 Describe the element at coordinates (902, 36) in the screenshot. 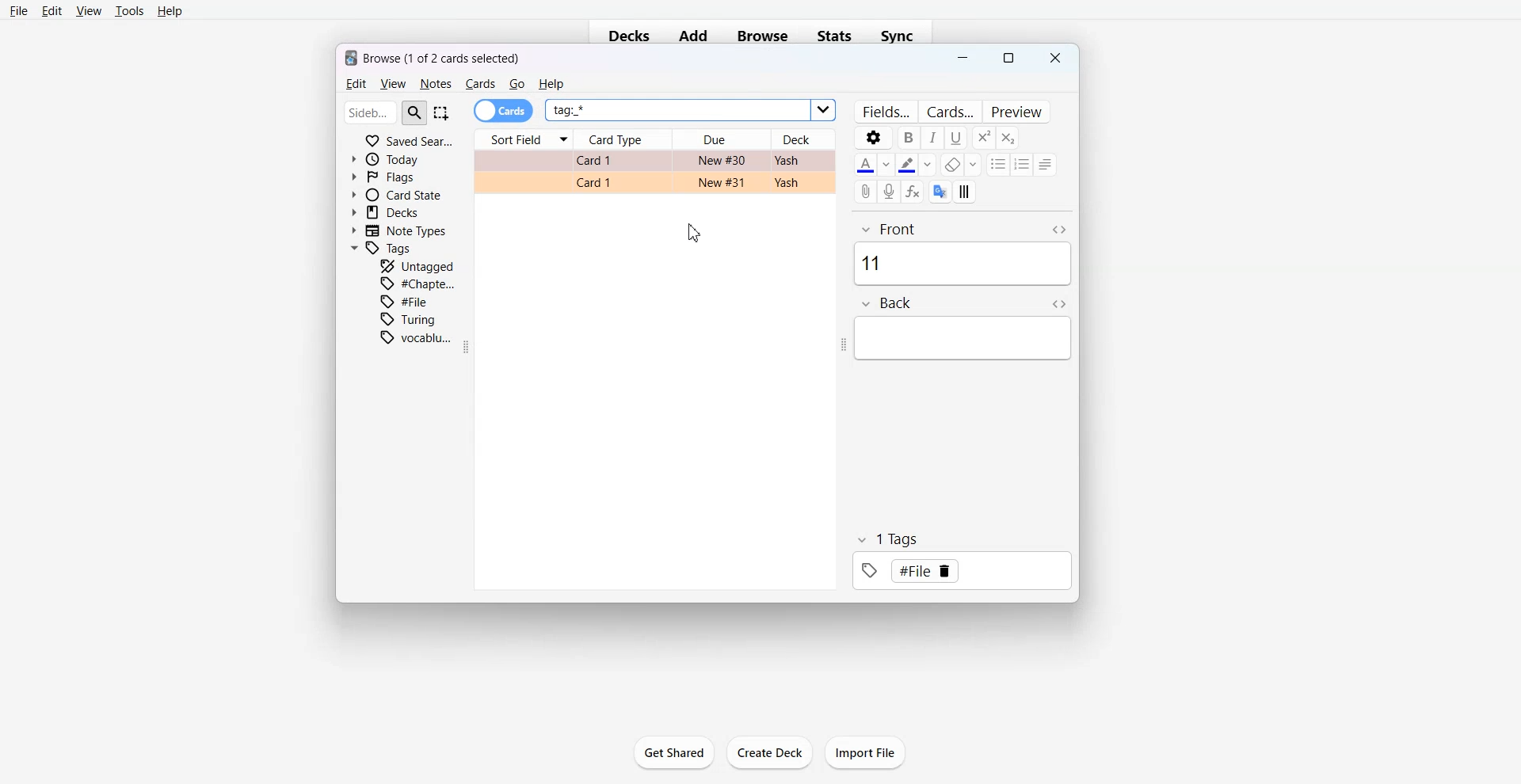

I see `Sync` at that location.